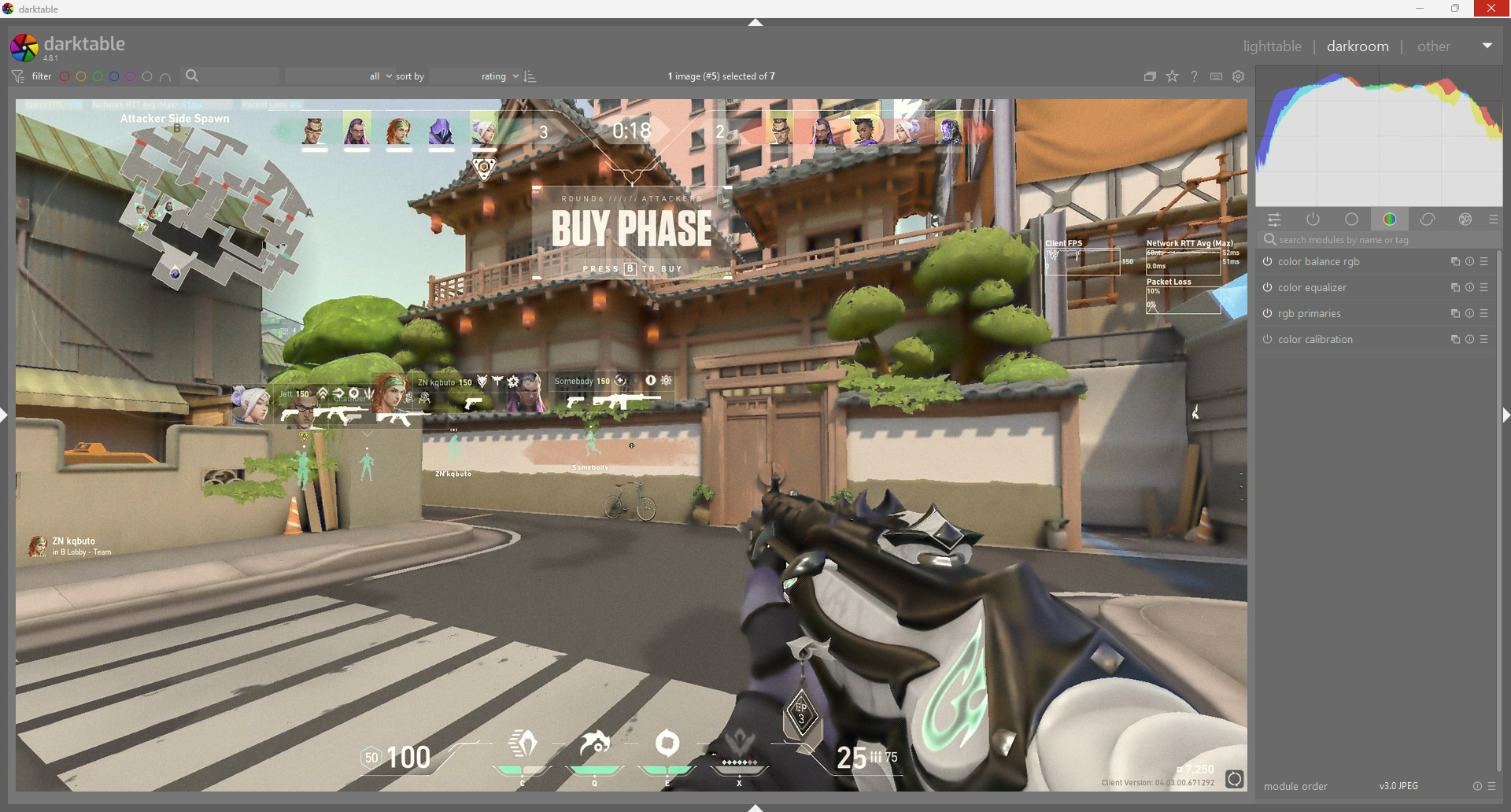 The image size is (1511, 812). I want to click on presets, so click(1483, 341).